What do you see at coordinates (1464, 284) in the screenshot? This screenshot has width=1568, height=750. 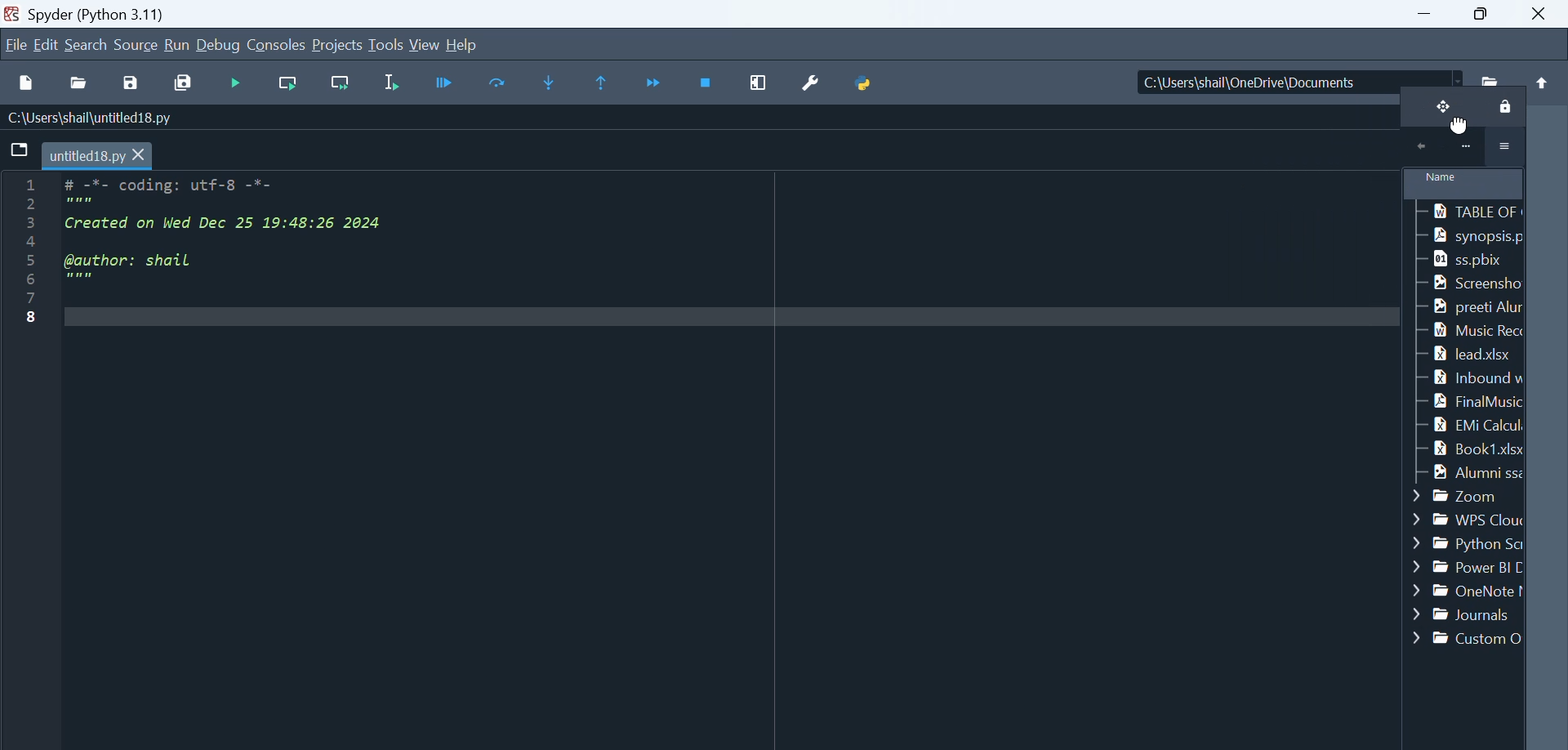 I see `Screenshot..` at bounding box center [1464, 284].